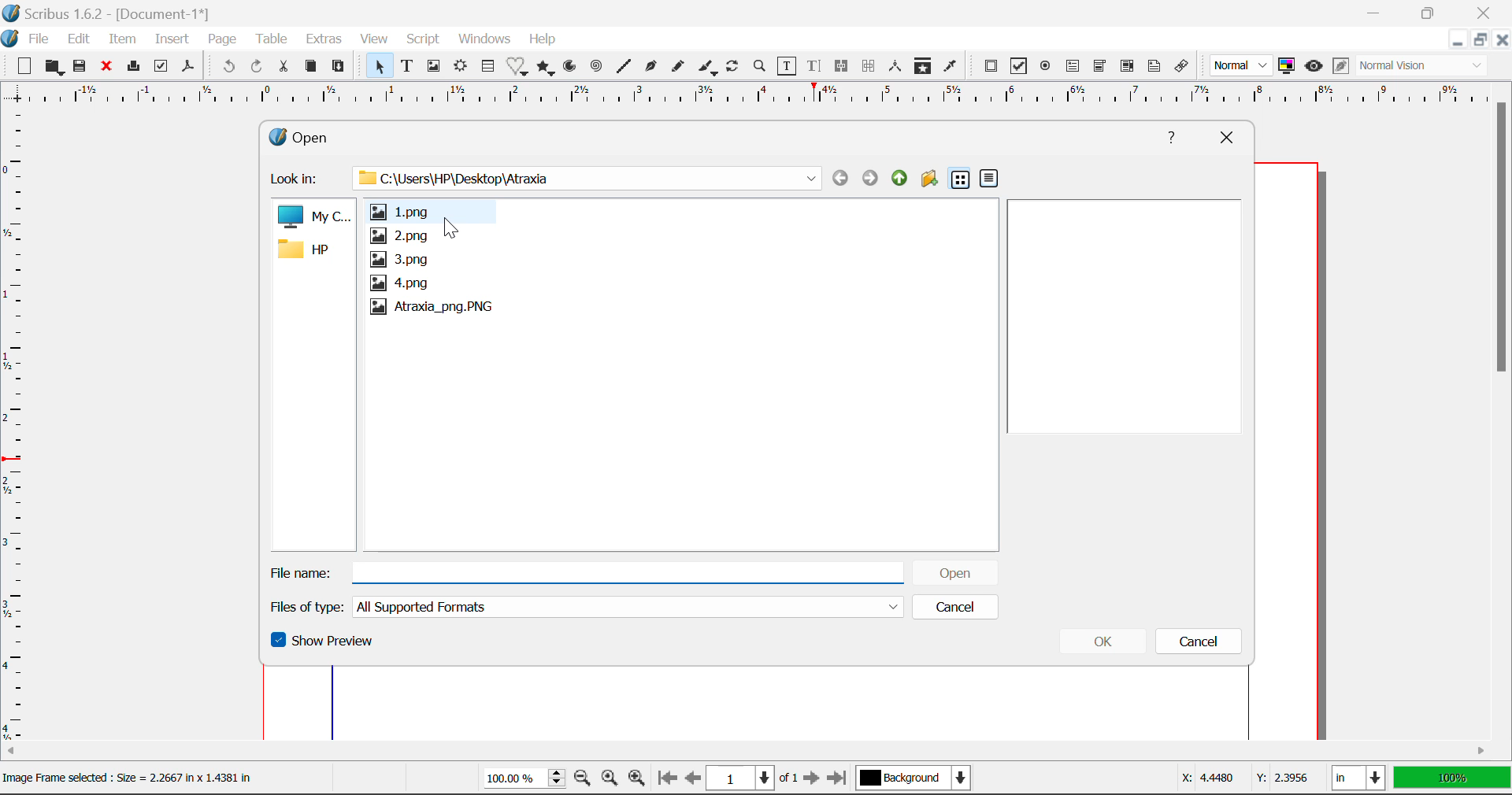  I want to click on Pdf Push Button, so click(991, 66).